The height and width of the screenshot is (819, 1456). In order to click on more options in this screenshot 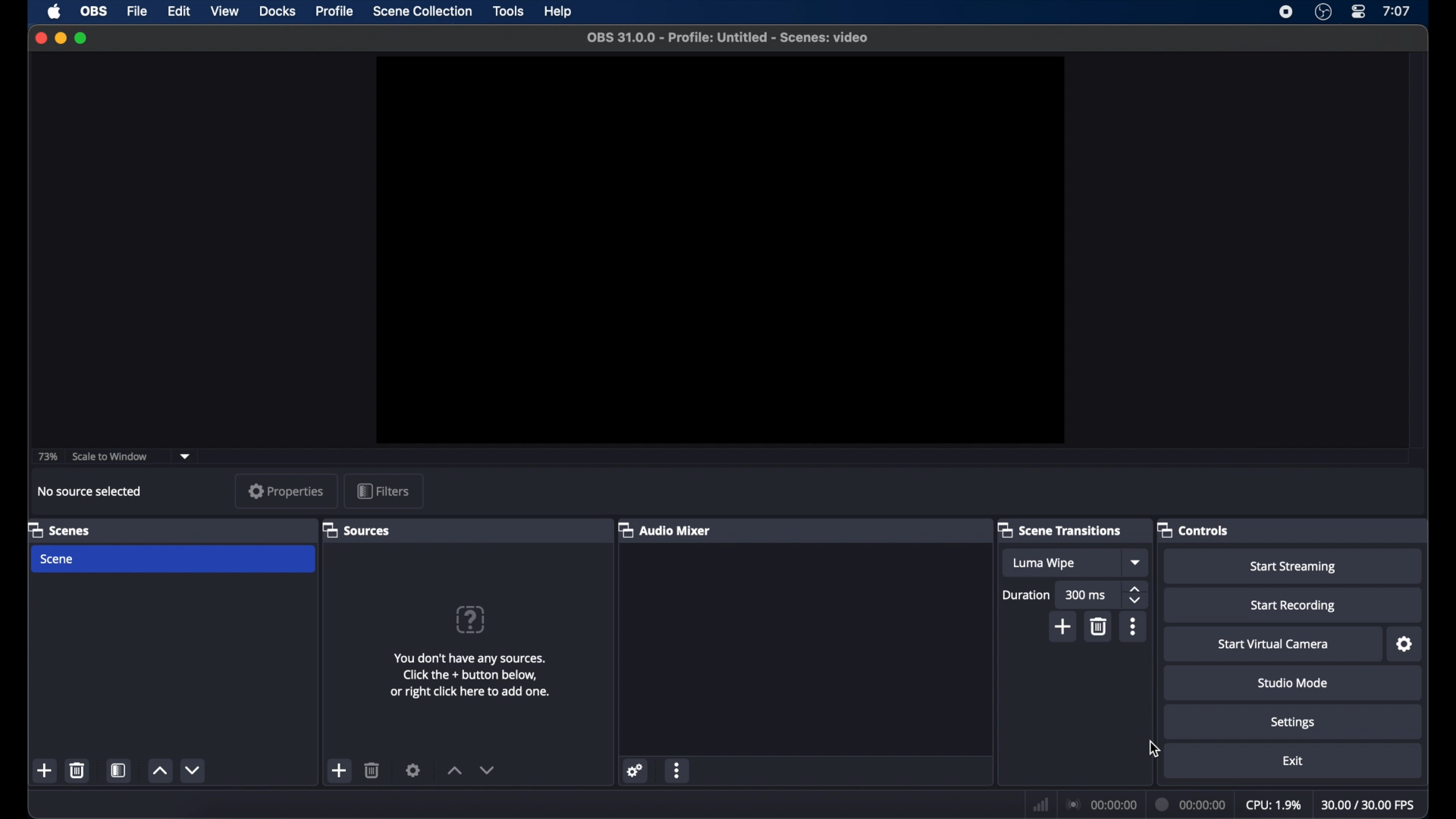, I will do `click(1133, 626)`.